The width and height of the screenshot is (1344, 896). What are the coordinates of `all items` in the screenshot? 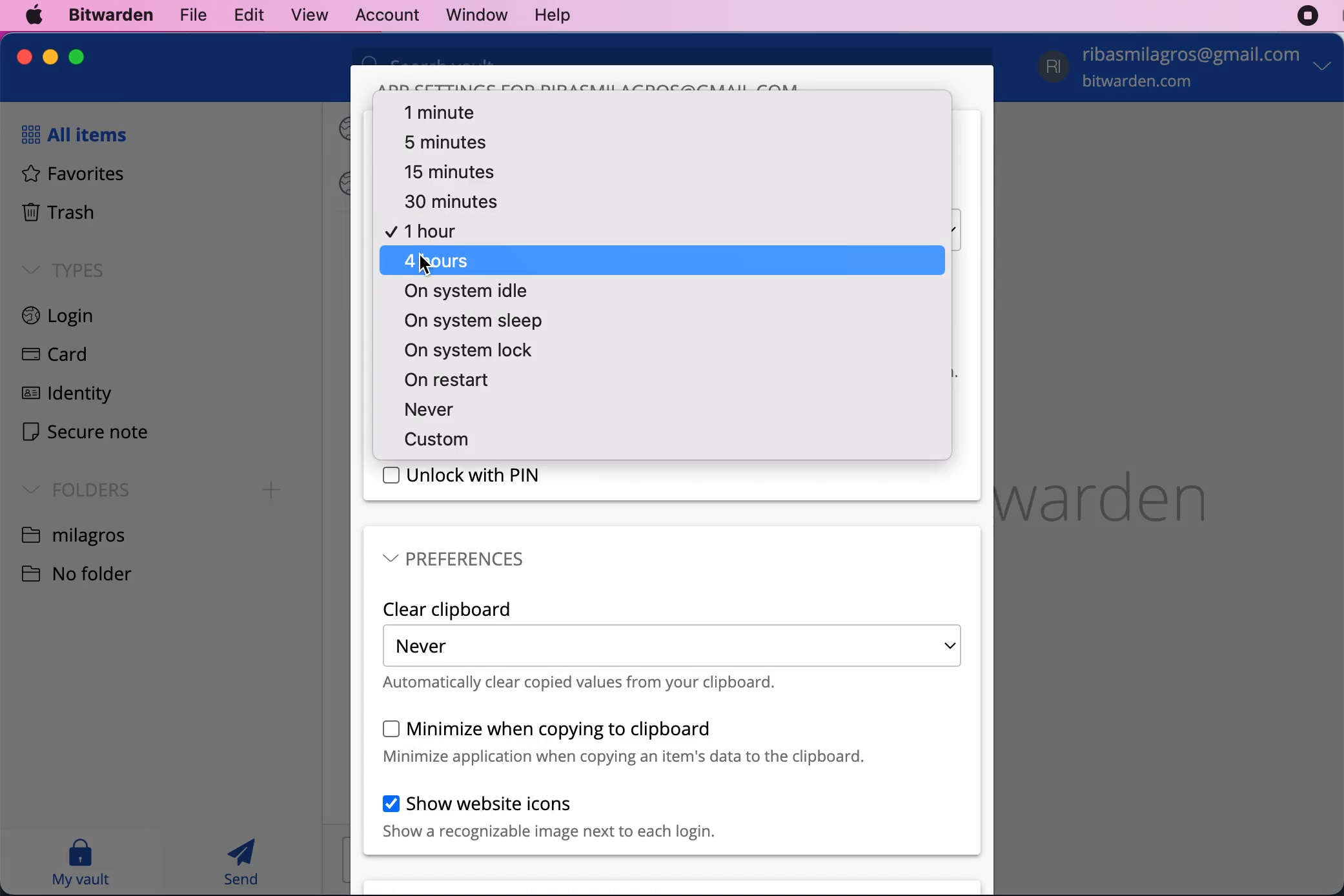 It's located at (70, 134).